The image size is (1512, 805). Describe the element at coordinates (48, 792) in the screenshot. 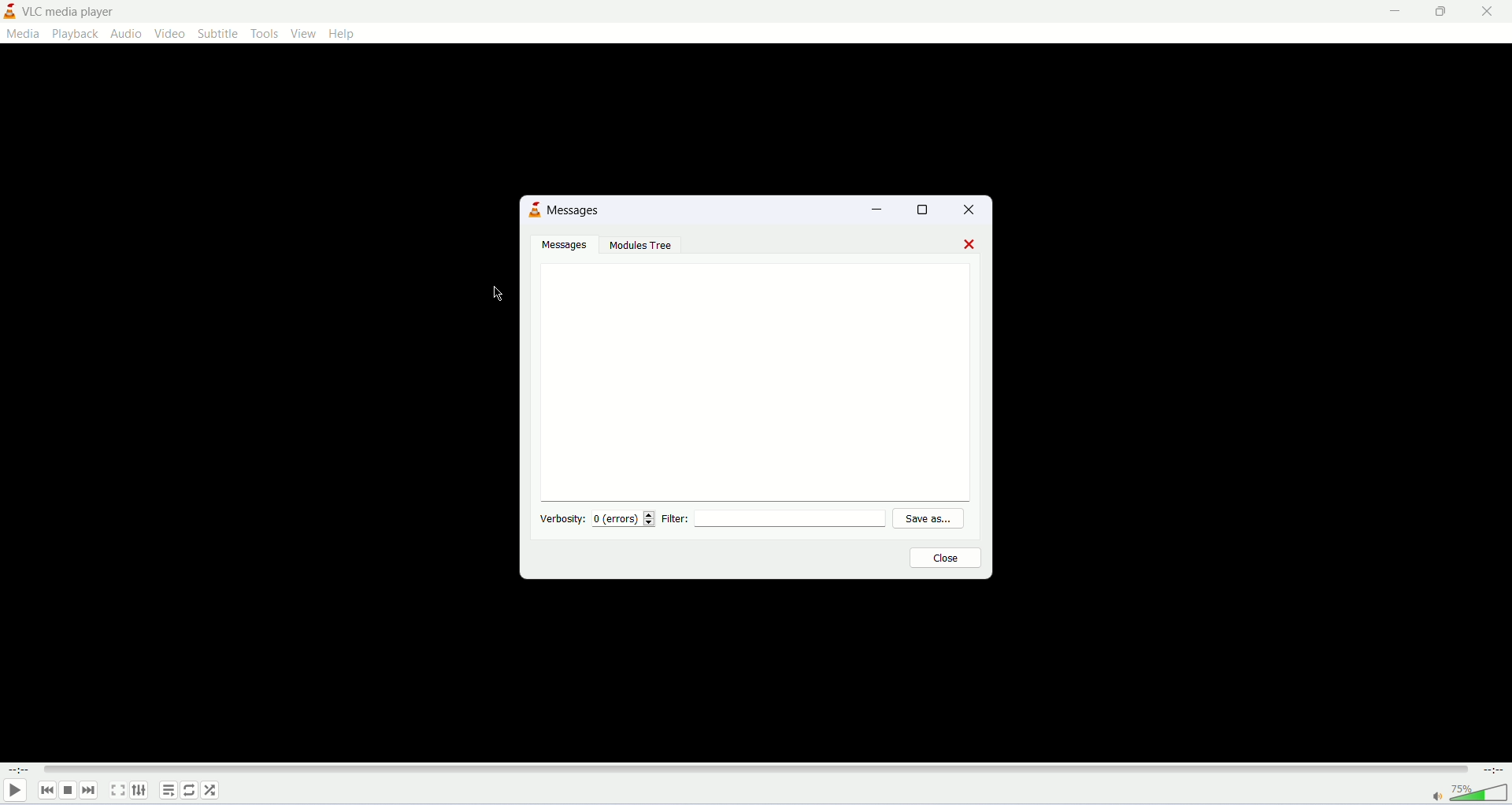

I see `previous` at that location.